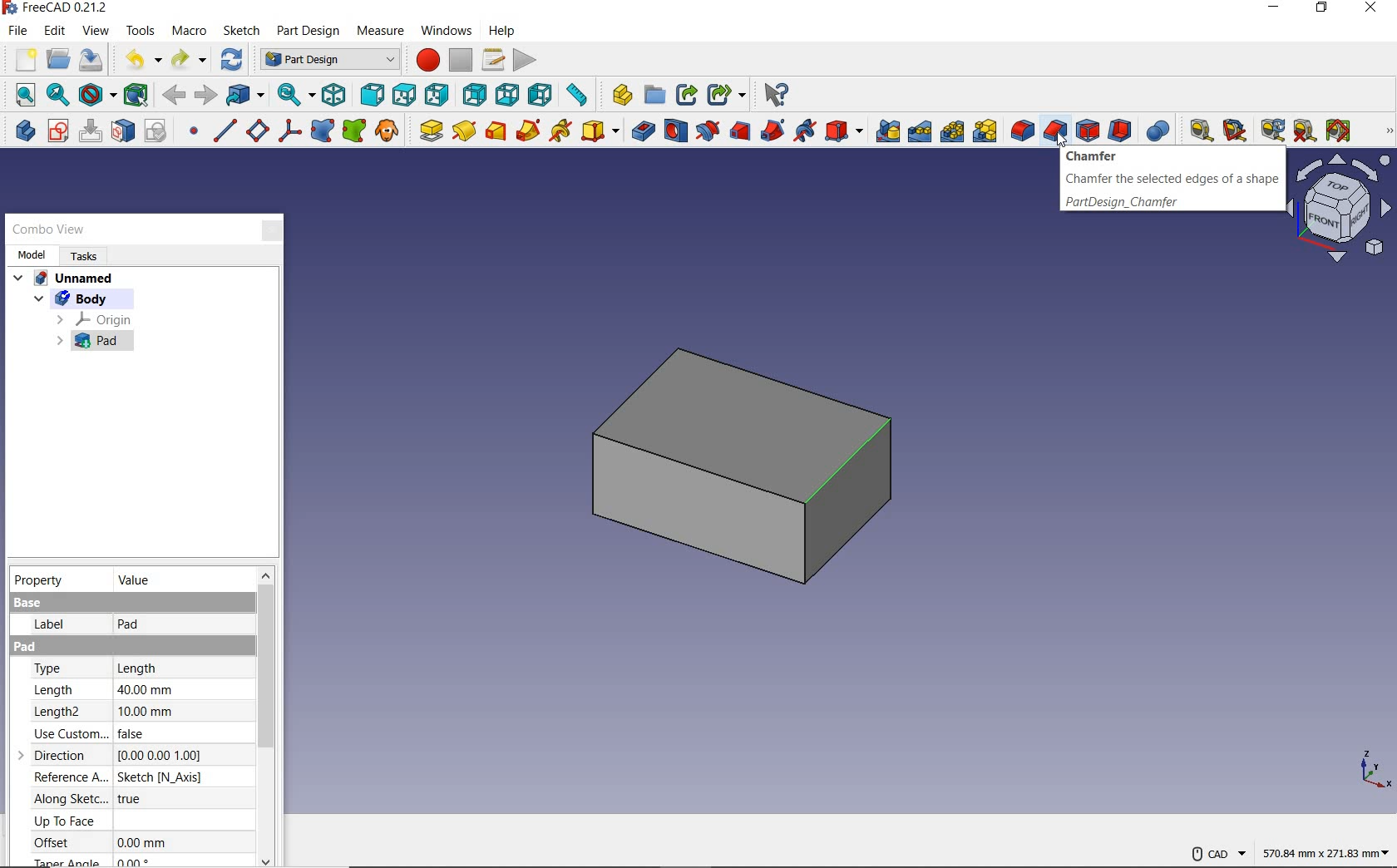 The image size is (1397, 868). What do you see at coordinates (20, 94) in the screenshot?
I see `fit all` at bounding box center [20, 94].